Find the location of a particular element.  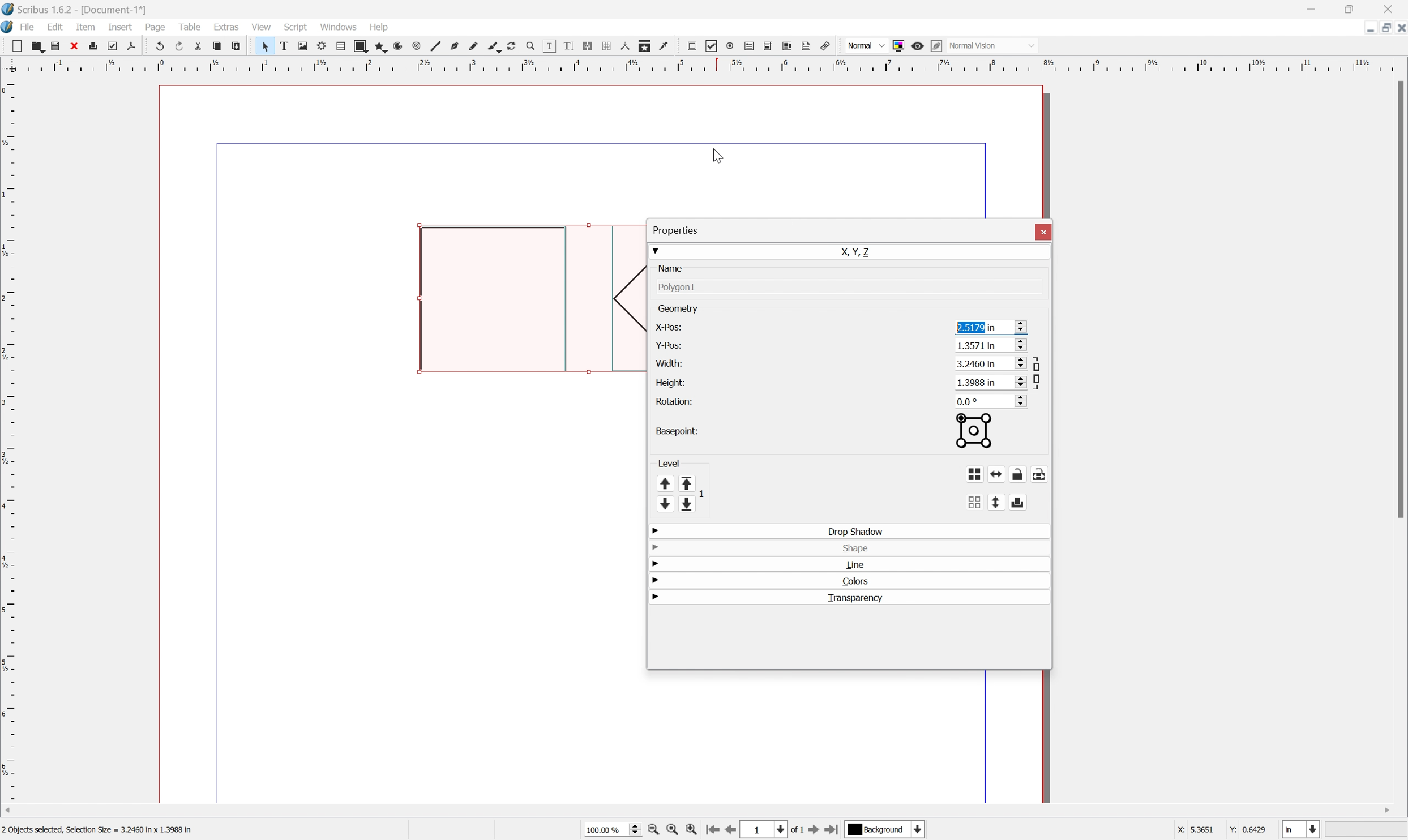

Close is located at coordinates (1392, 8).